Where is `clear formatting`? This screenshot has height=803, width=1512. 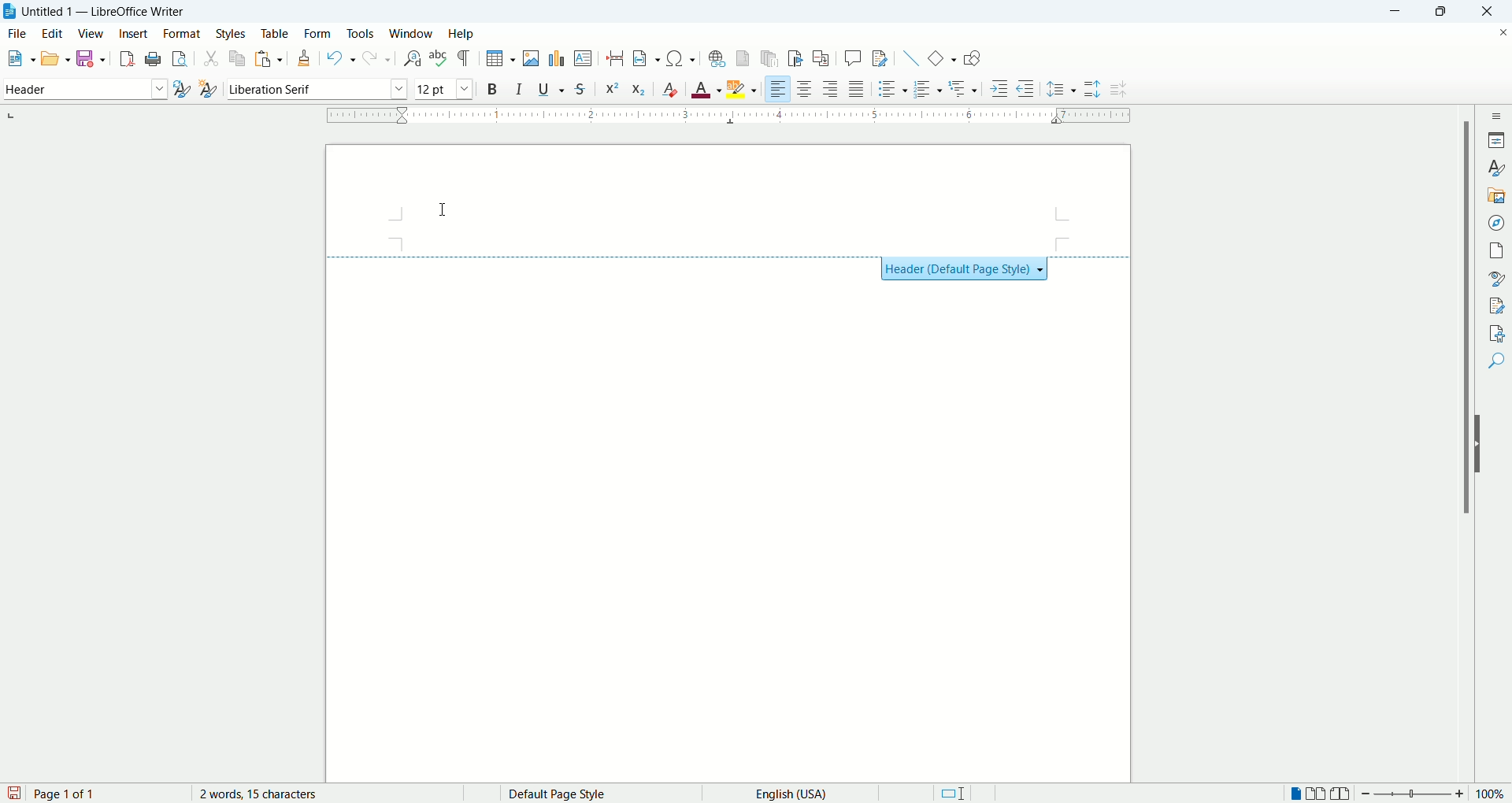
clear formatting is located at coordinates (670, 89).